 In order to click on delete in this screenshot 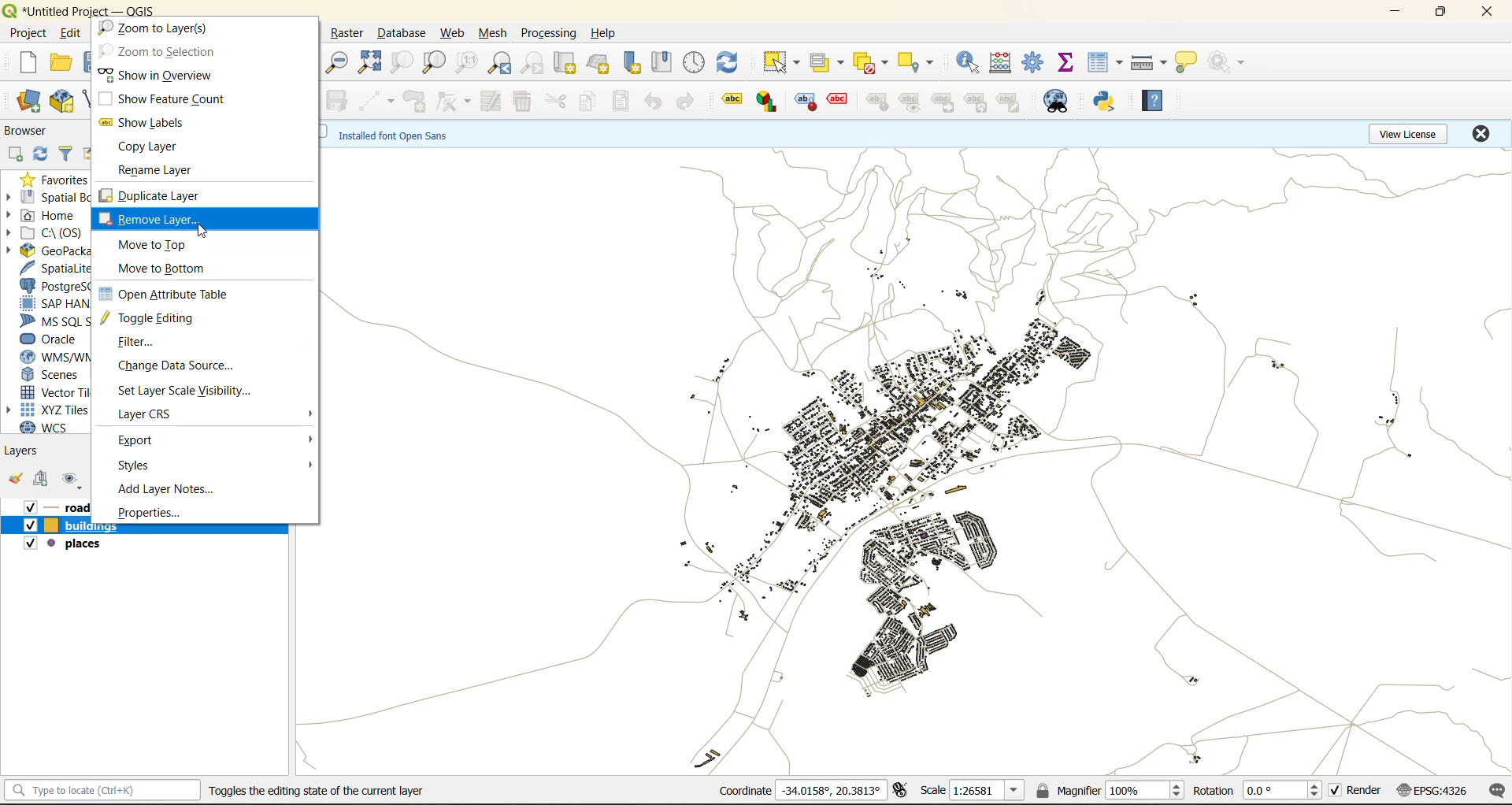, I will do `click(519, 101)`.